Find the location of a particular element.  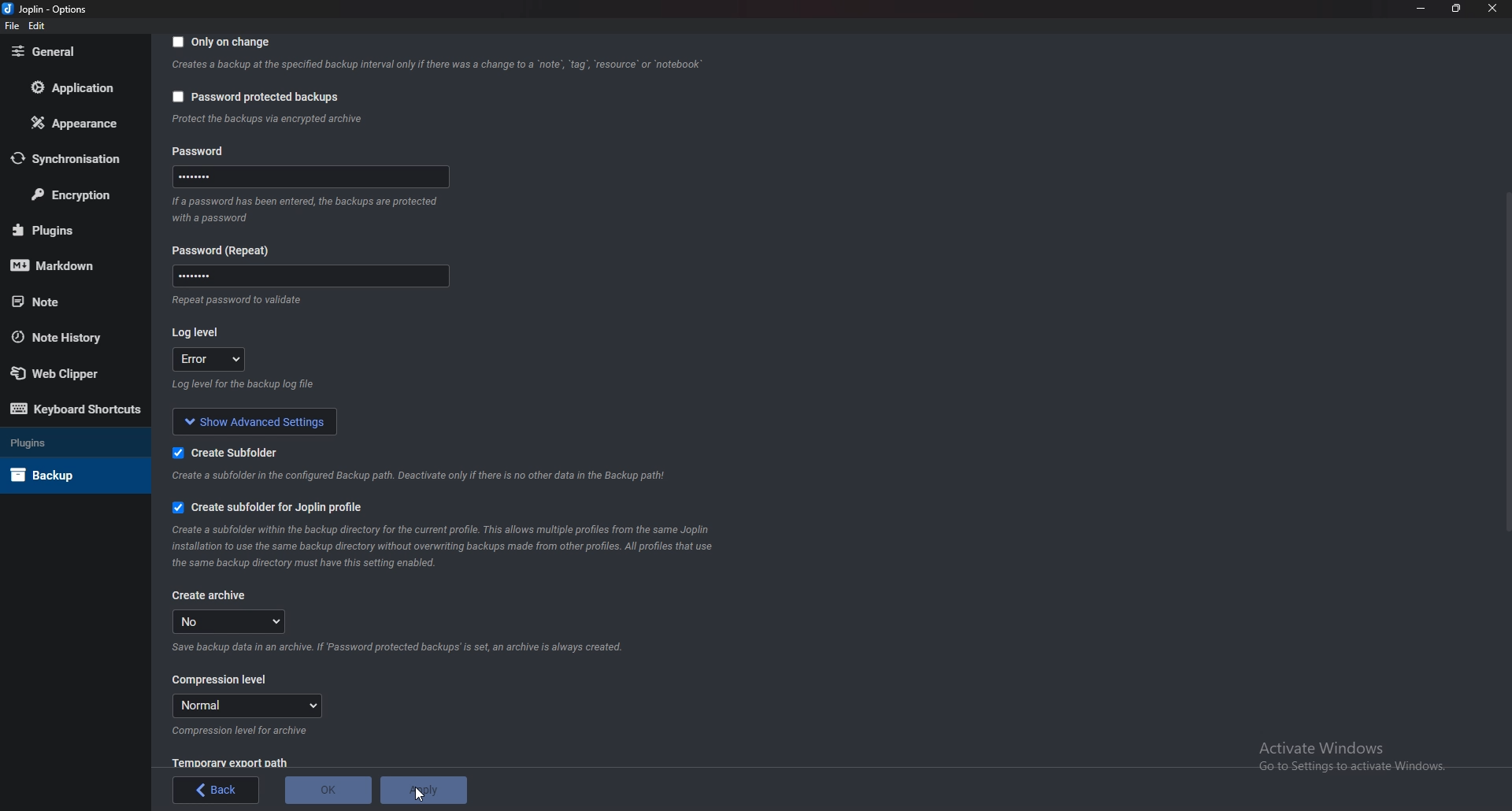

create archive is located at coordinates (210, 595).